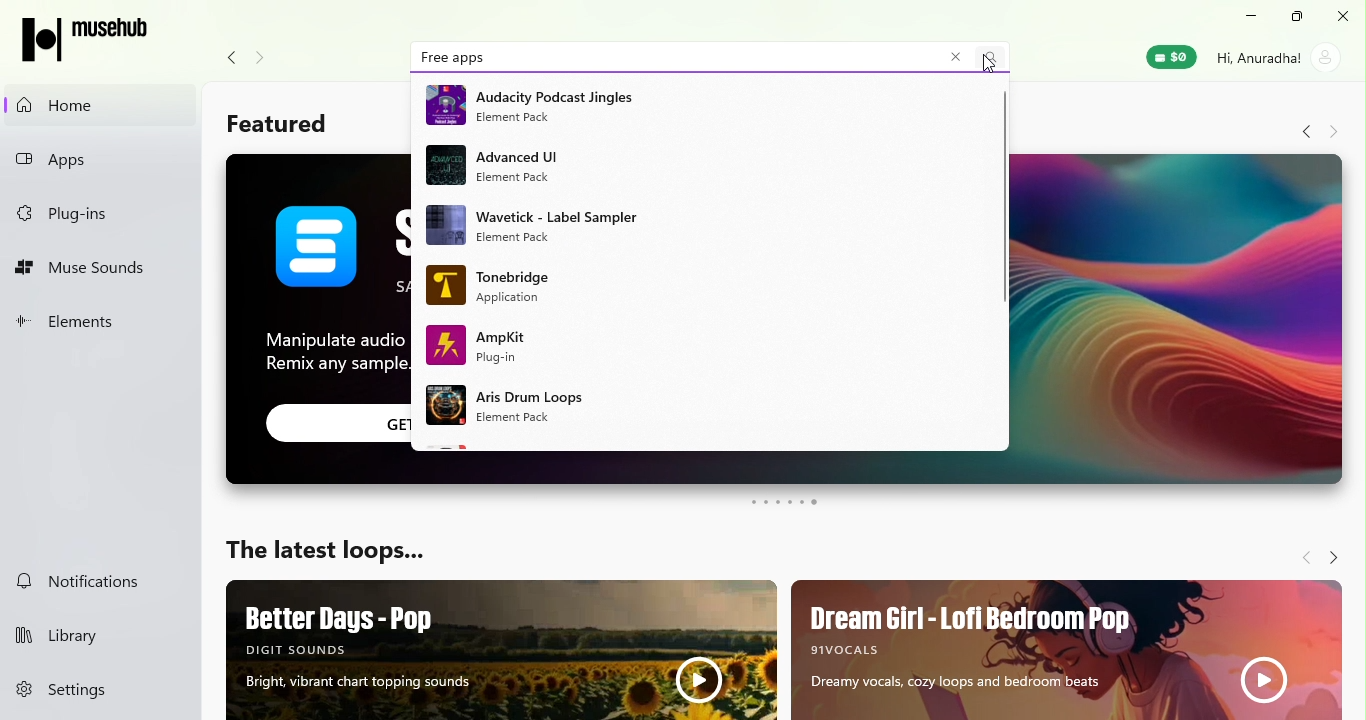  Describe the element at coordinates (1299, 17) in the screenshot. I see `Maximize` at that location.